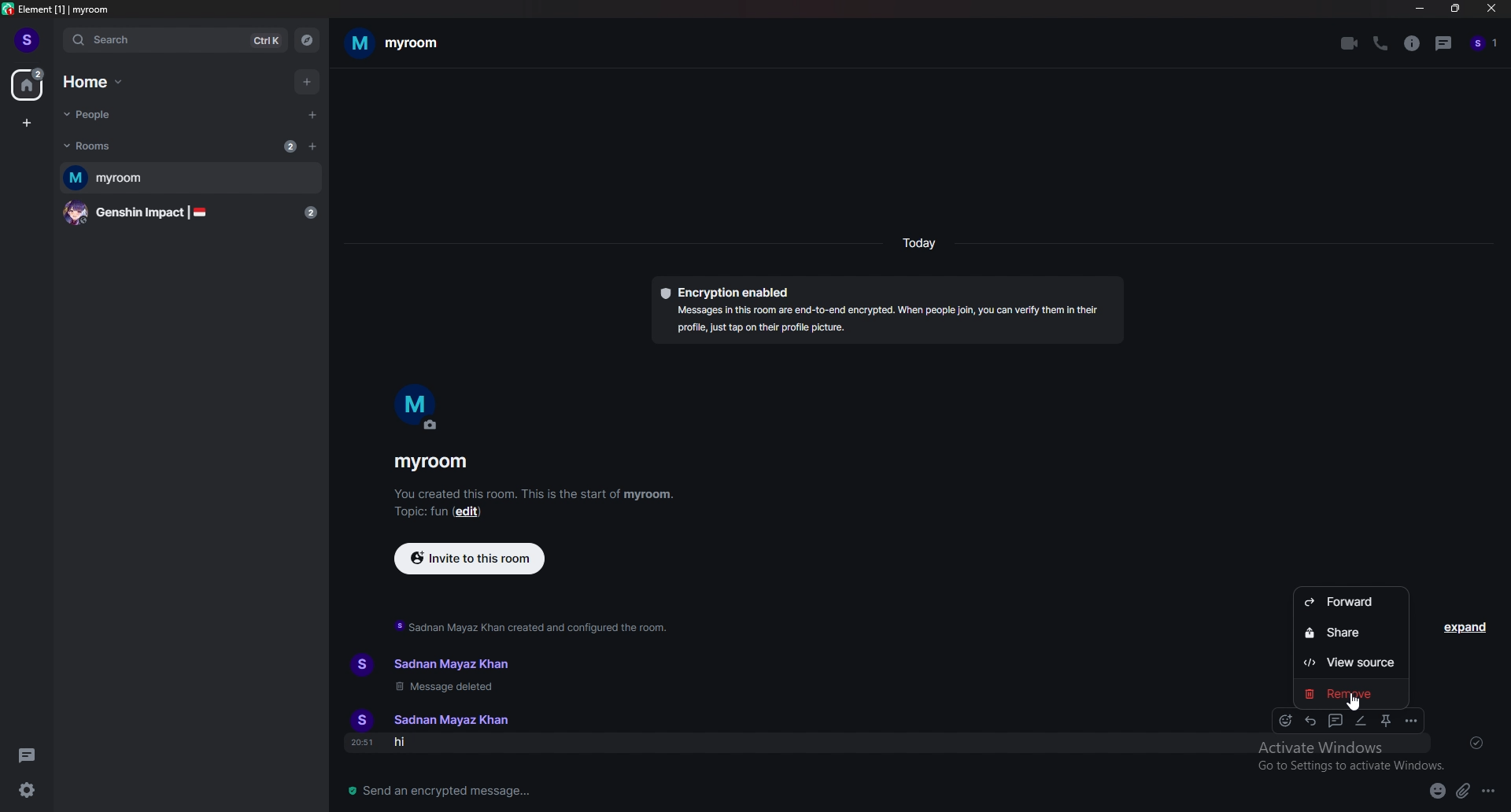  I want to click on room photo, so click(419, 408).